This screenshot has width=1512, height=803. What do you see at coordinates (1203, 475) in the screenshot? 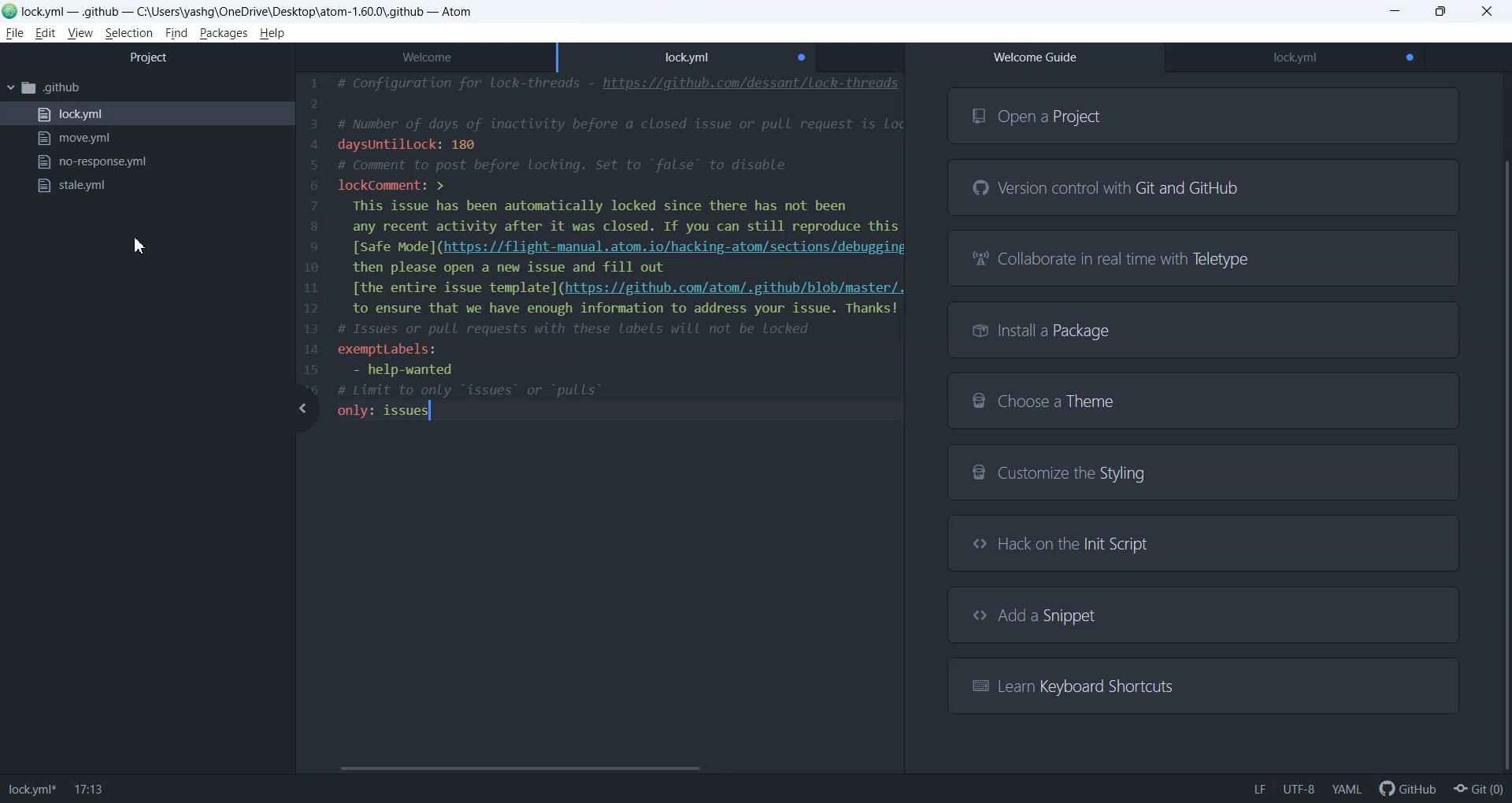
I see `Customize the Styling` at bounding box center [1203, 475].